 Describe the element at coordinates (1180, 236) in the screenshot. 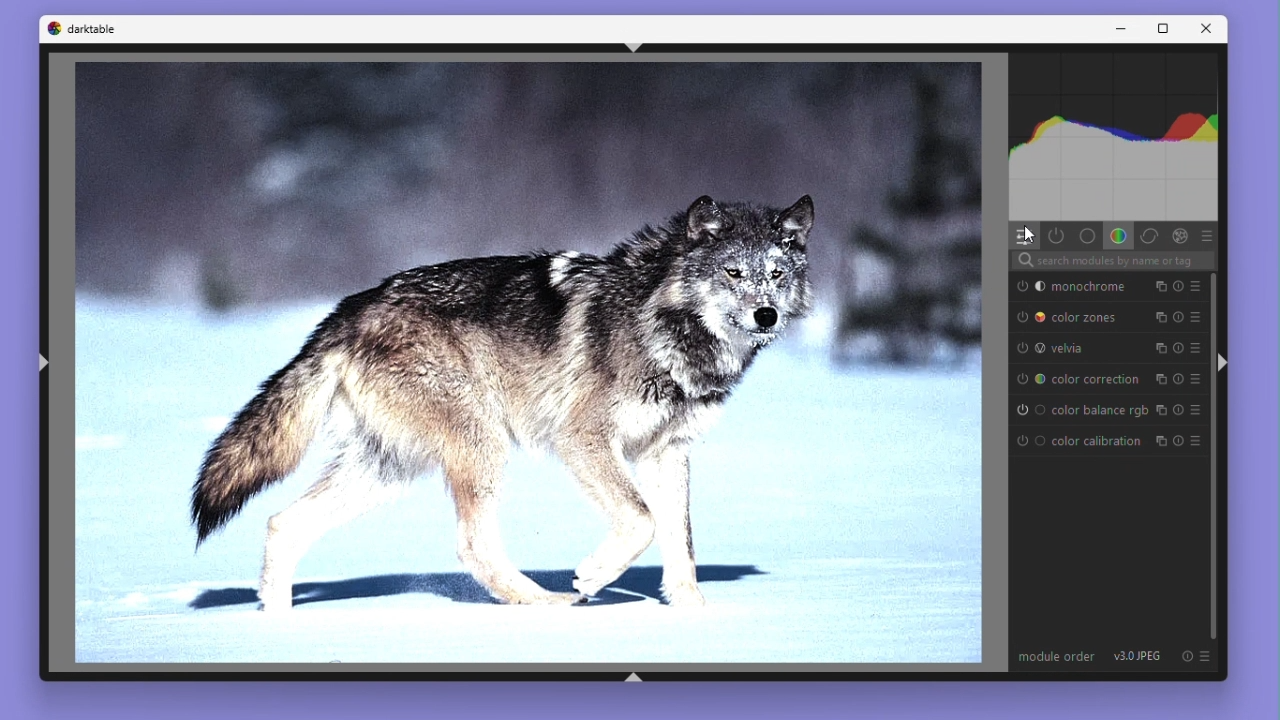

I see `effects` at that location.